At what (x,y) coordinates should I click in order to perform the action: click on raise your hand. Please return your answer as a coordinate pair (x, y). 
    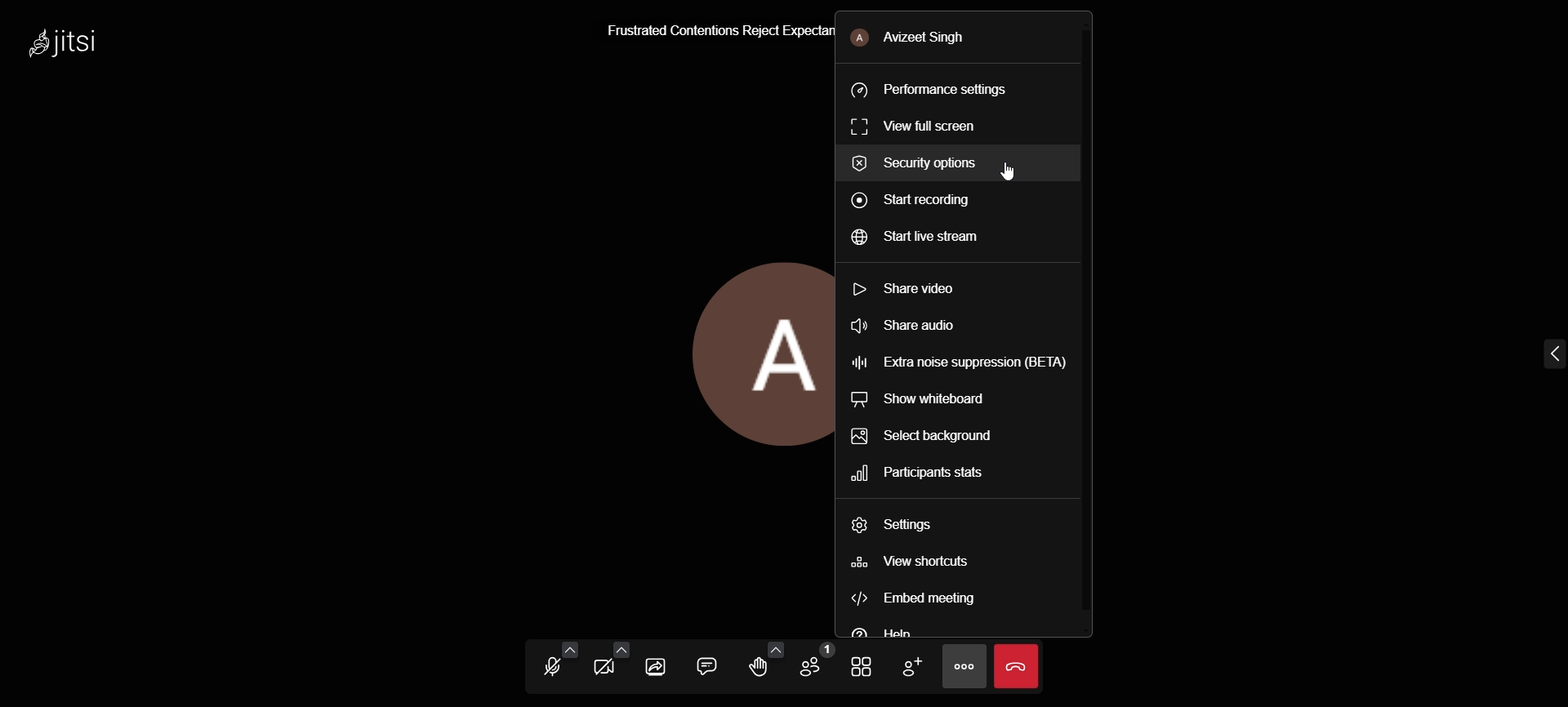
    Looking at the image, I should click on (757, 670).